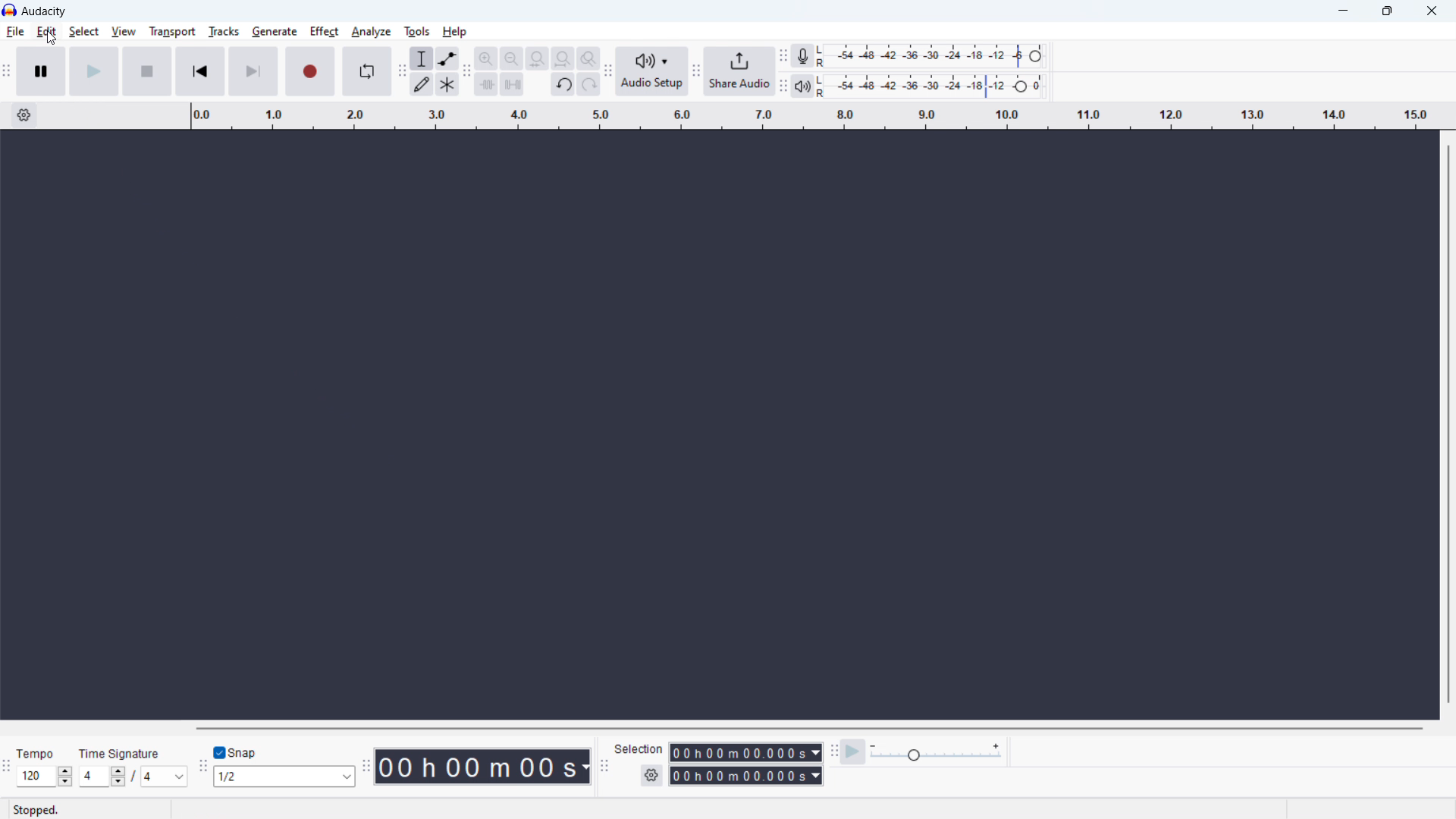  I want to click on recording meter toolbar, so click(783, 55).